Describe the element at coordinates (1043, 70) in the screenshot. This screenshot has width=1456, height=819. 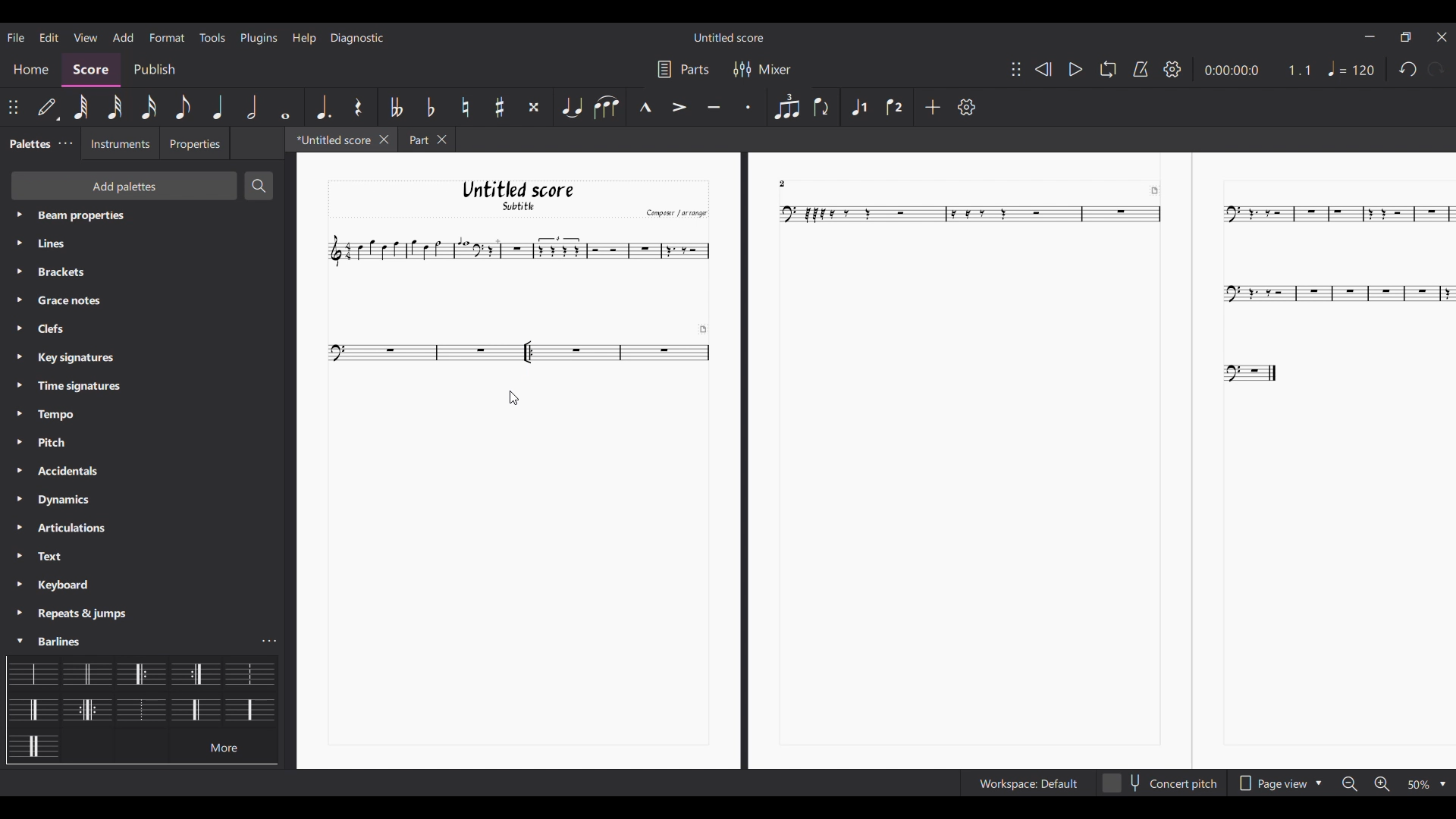
I see `Rewind` at that location.